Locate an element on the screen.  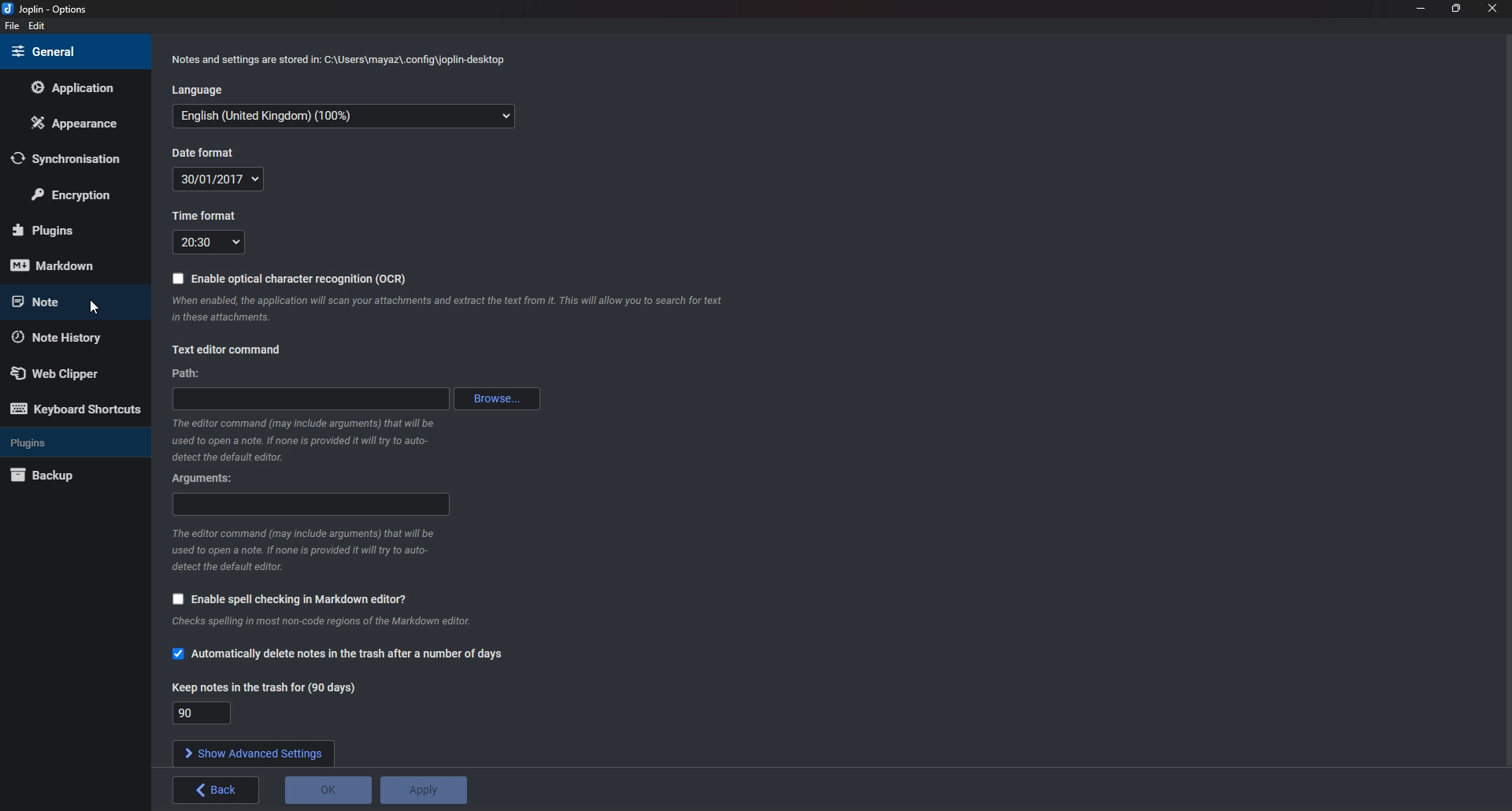
Automatically delete notes is located at coordinates (339, 654).